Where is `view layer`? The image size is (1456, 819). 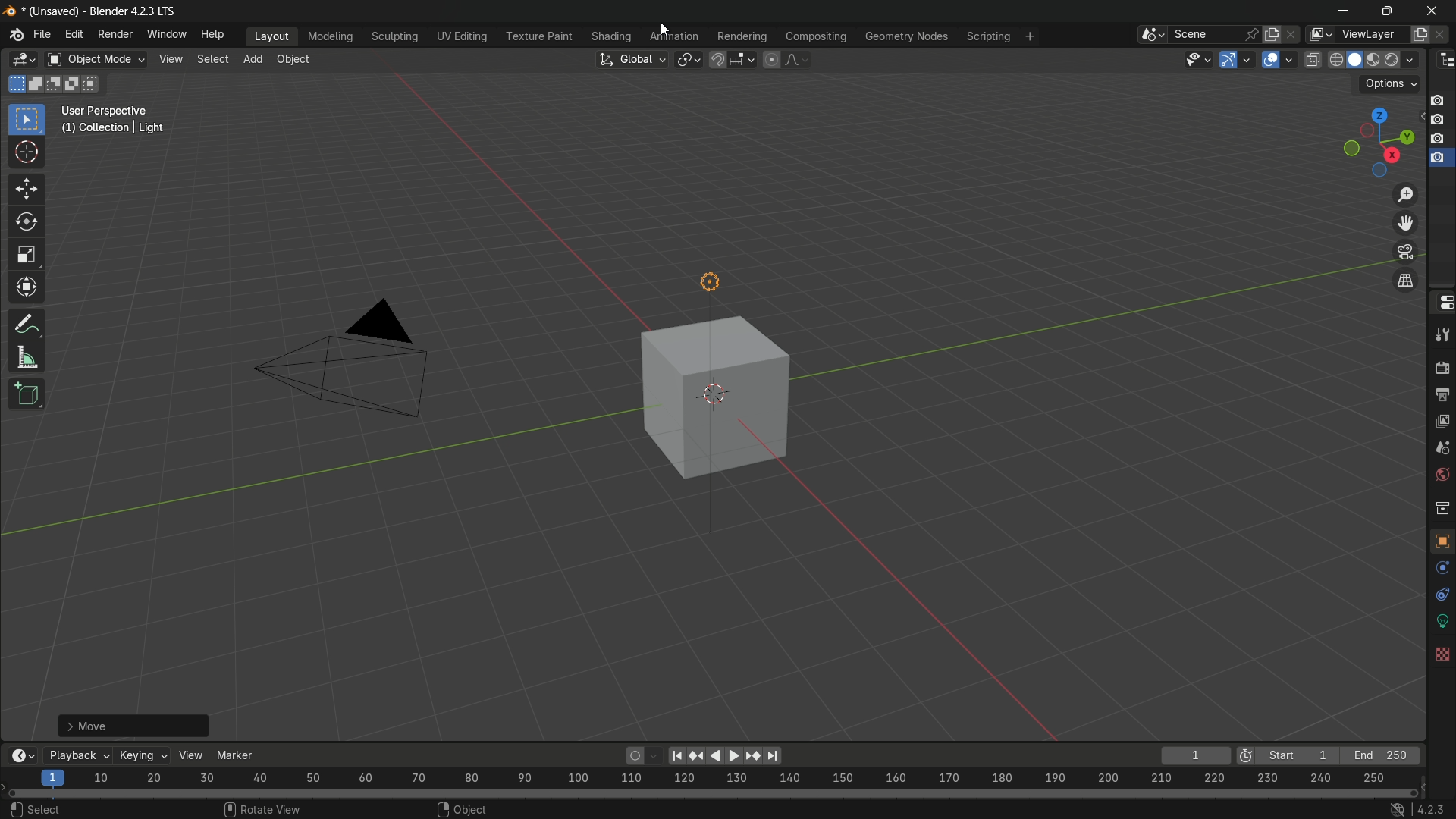
view layer is located at coordinates (1442, 420).